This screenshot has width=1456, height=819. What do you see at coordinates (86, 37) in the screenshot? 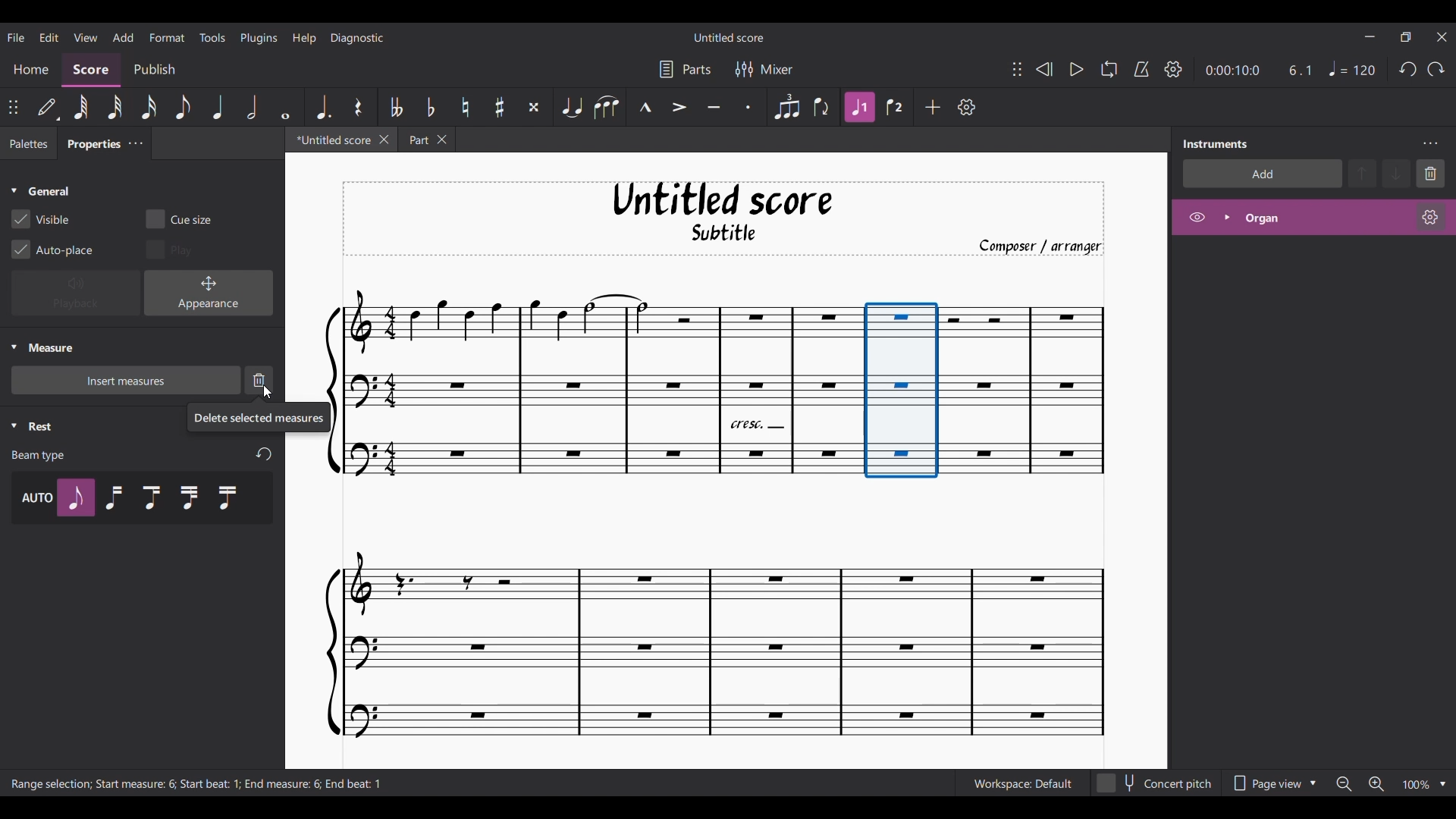
I see `View menu` at bounding box center [86, 37].